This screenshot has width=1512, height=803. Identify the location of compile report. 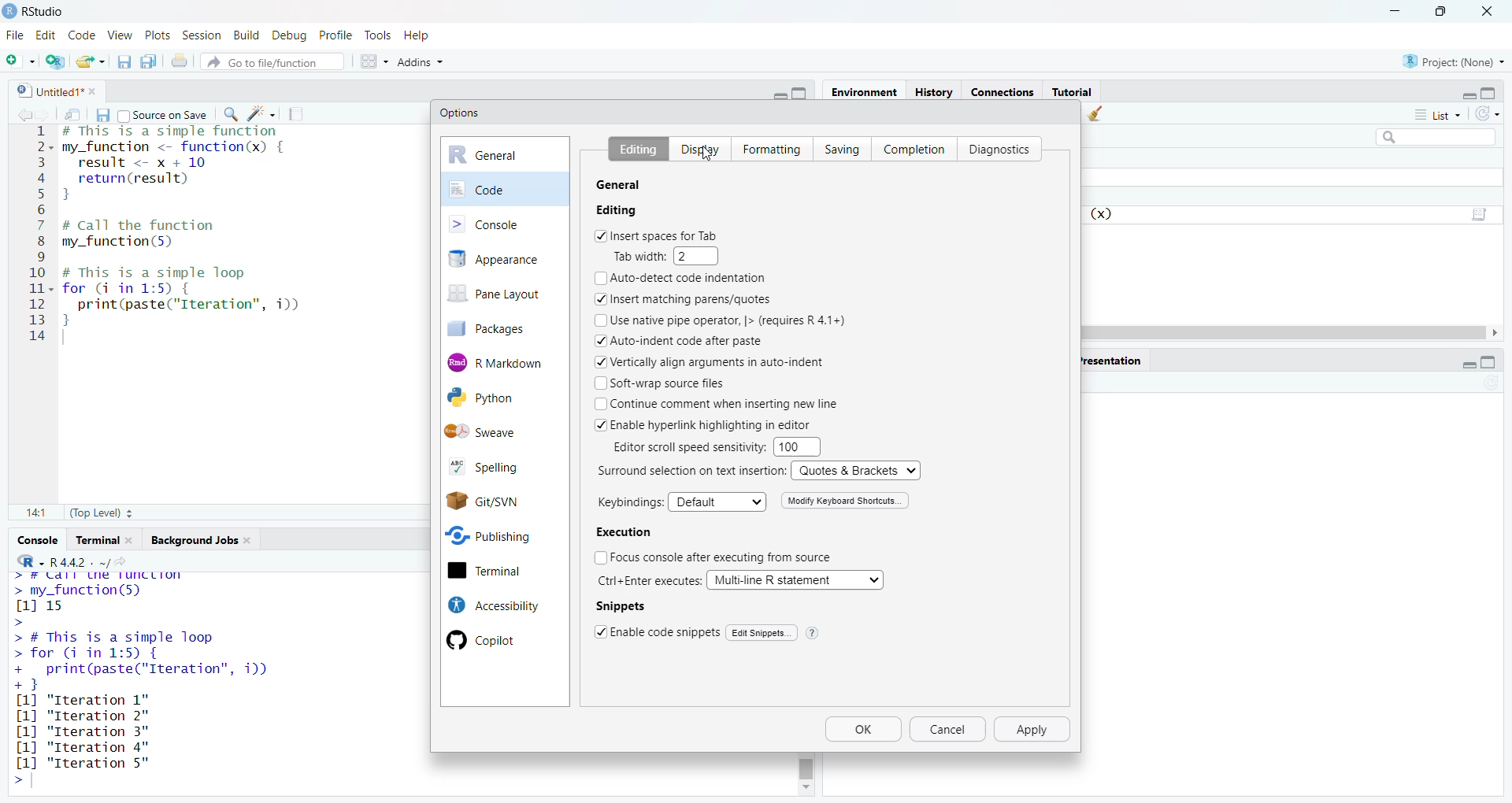
(300, 112).